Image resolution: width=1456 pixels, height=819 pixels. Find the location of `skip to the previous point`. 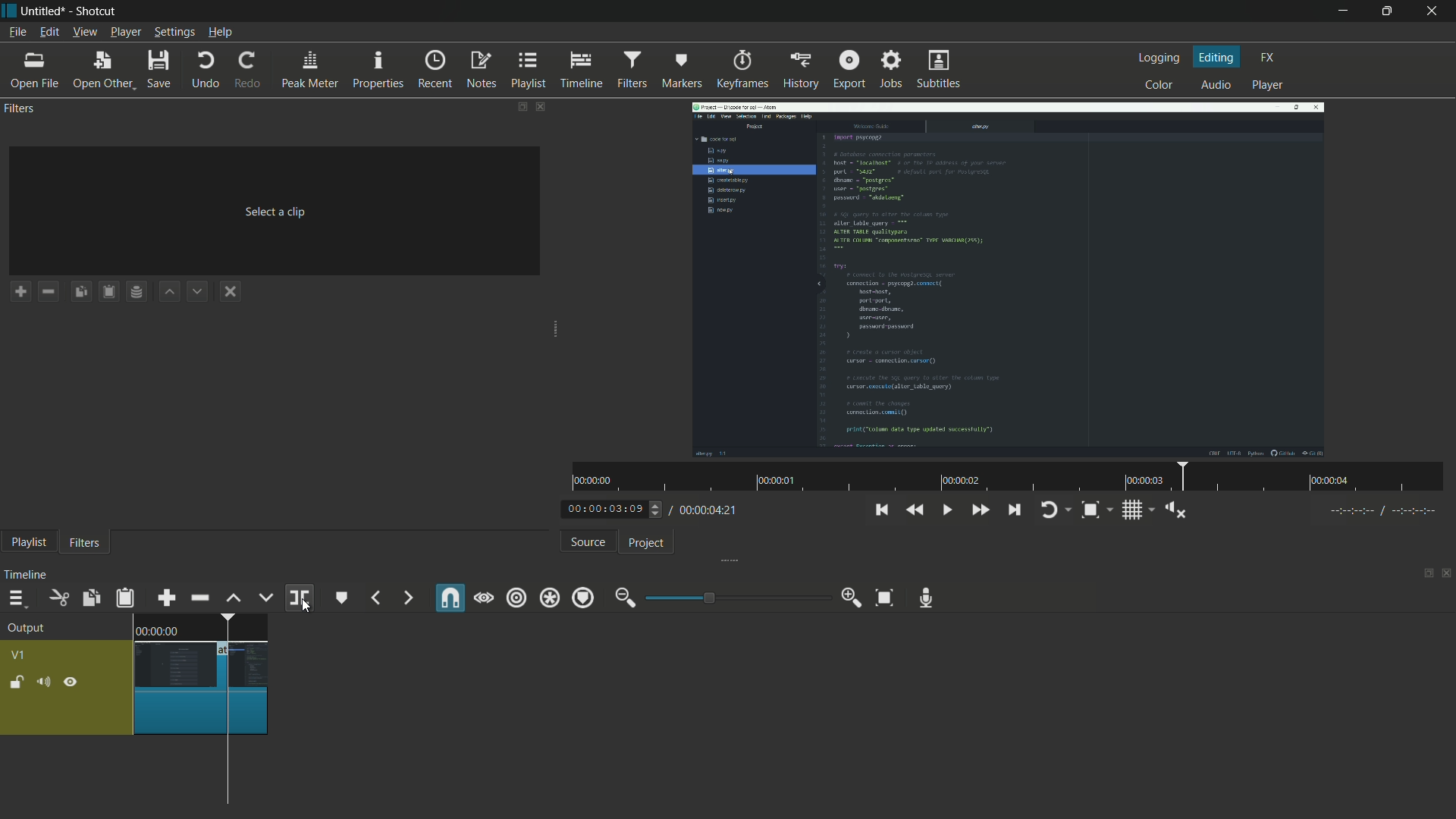

skip to the previous point is located at coordinates (886, 510).